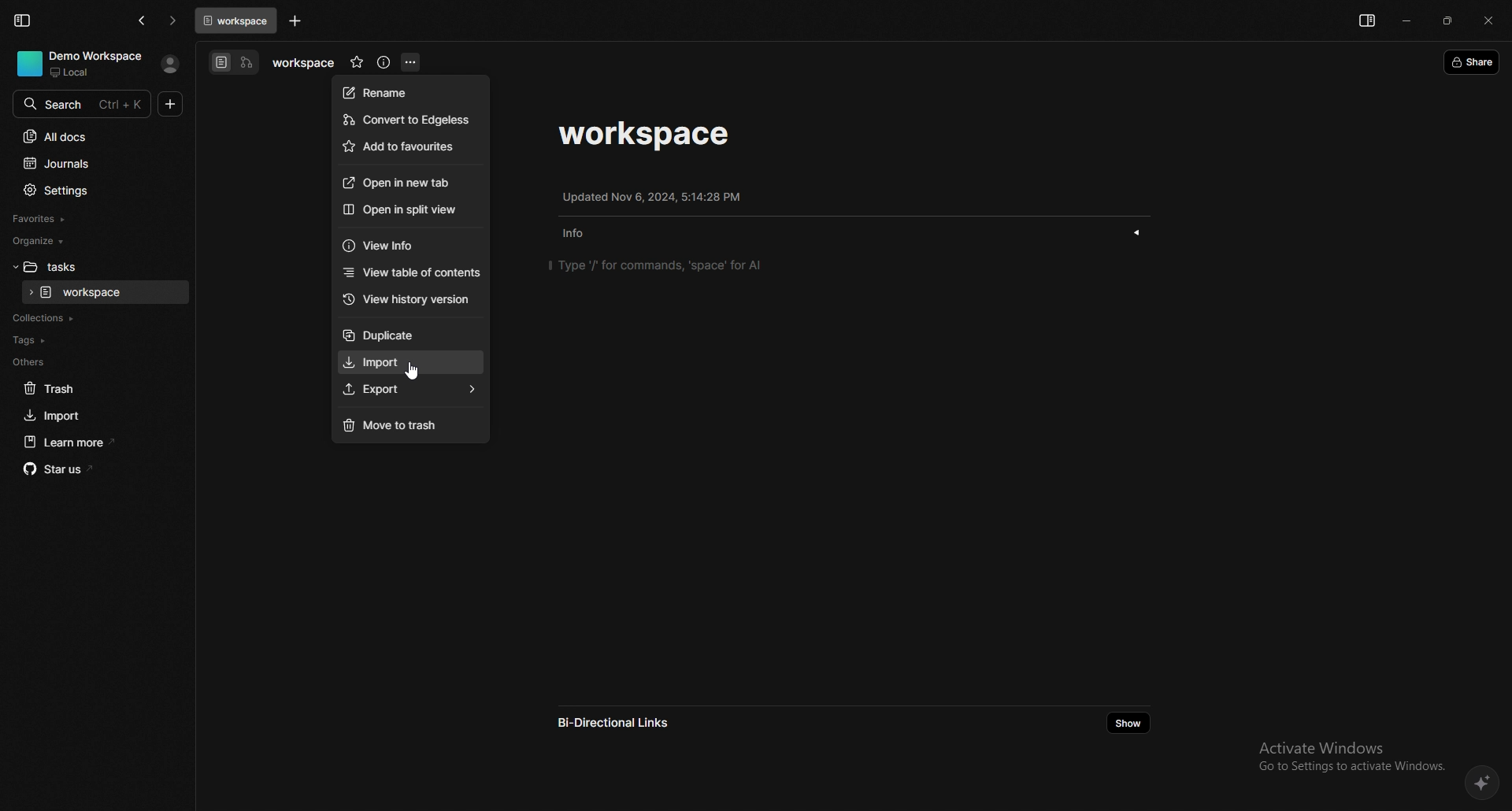 This screenshot has width=1512, height=811. I want to click on folder, so click(88, 267).